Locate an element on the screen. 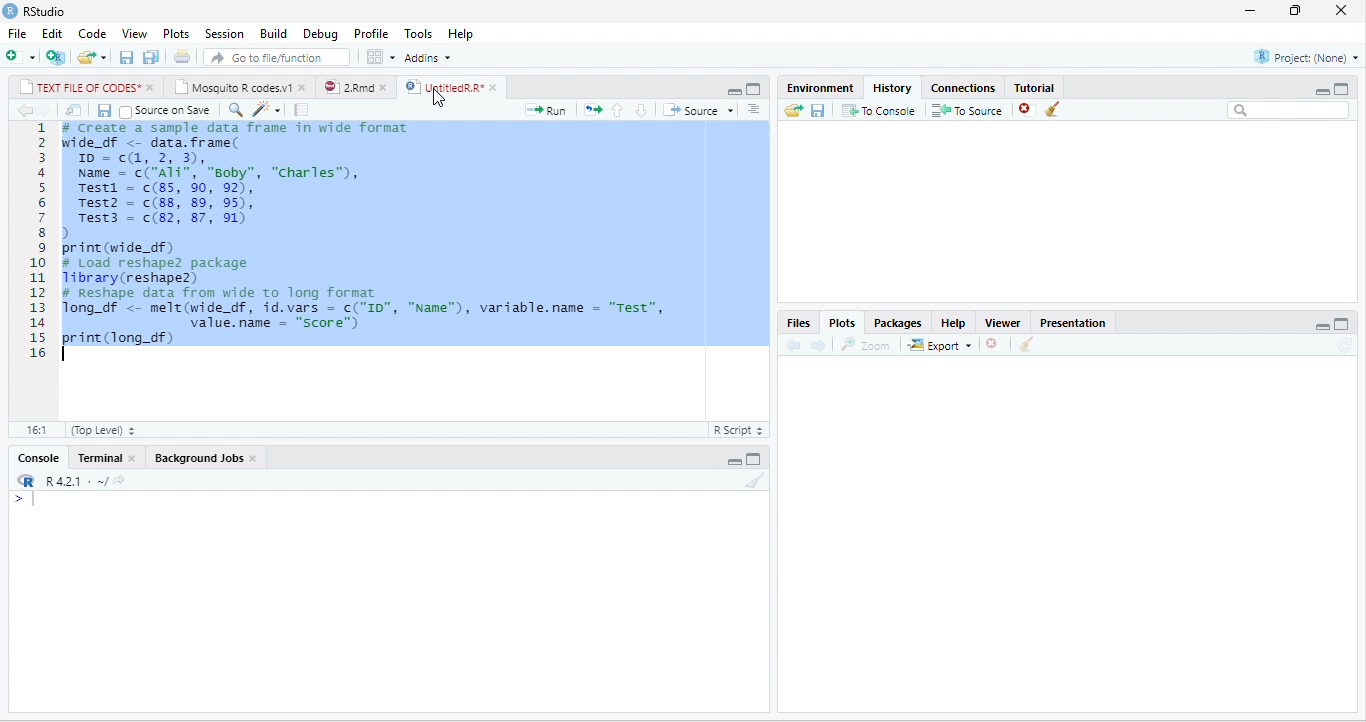  RStudio is located at coordinates (46, 12).